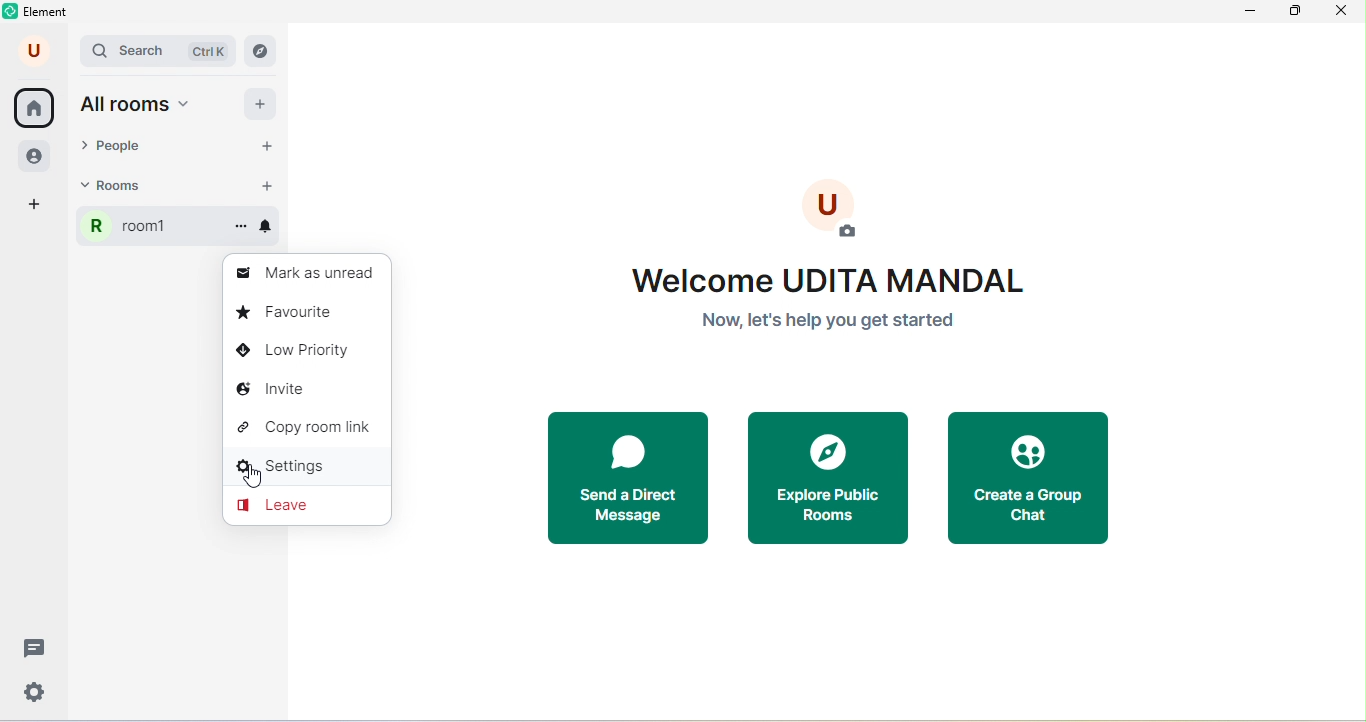 This screenshot has height=722, width=1366. What do you see at coordinates (160, 51) in the screenshot?
I see `search bar` at bounding box center [160, 51].